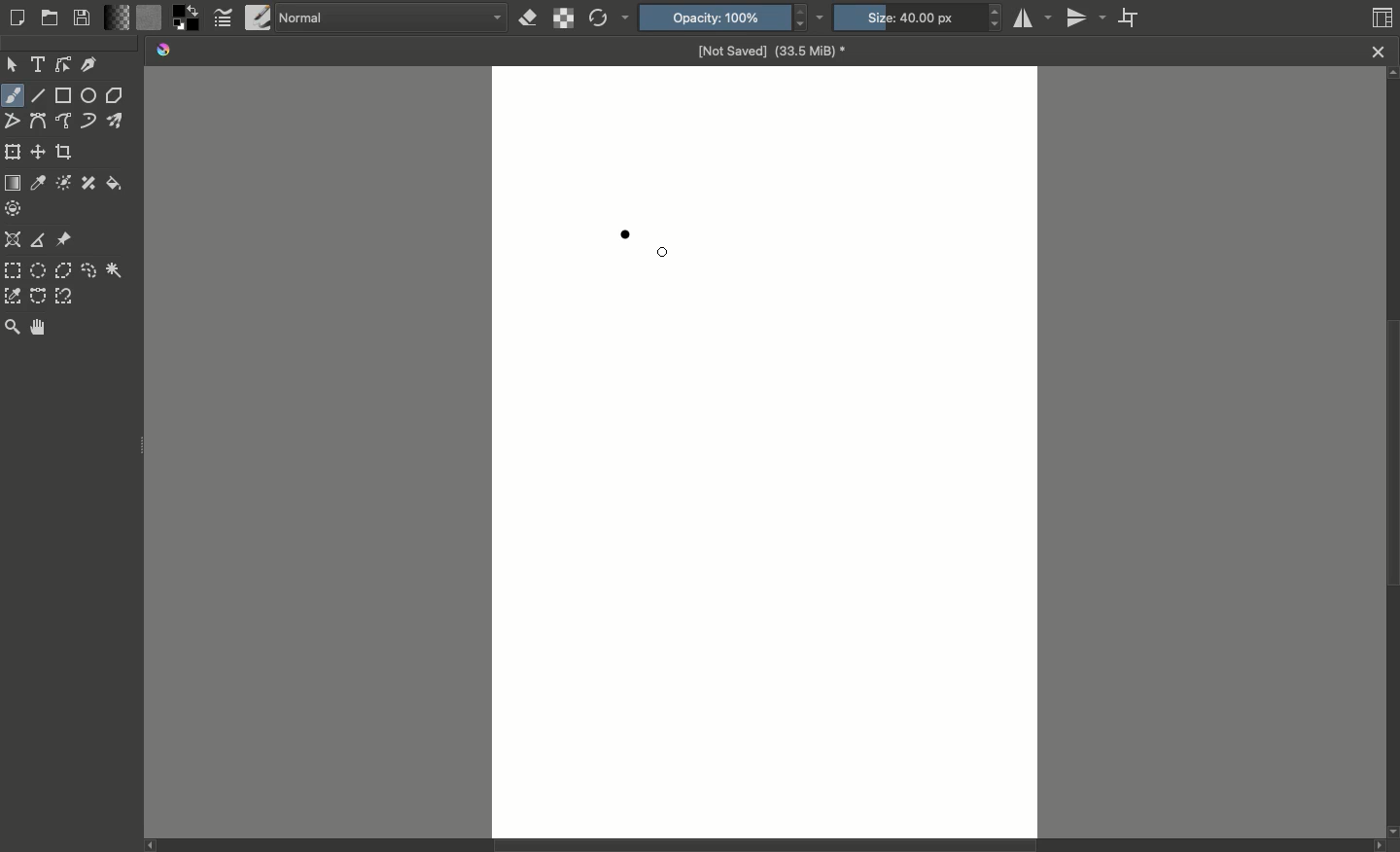 The height and width of the screenshot is (852, 1400). Describe the element at coordinates (1134, 19) in the screenshot. I see `Wrap around mode` at that location.